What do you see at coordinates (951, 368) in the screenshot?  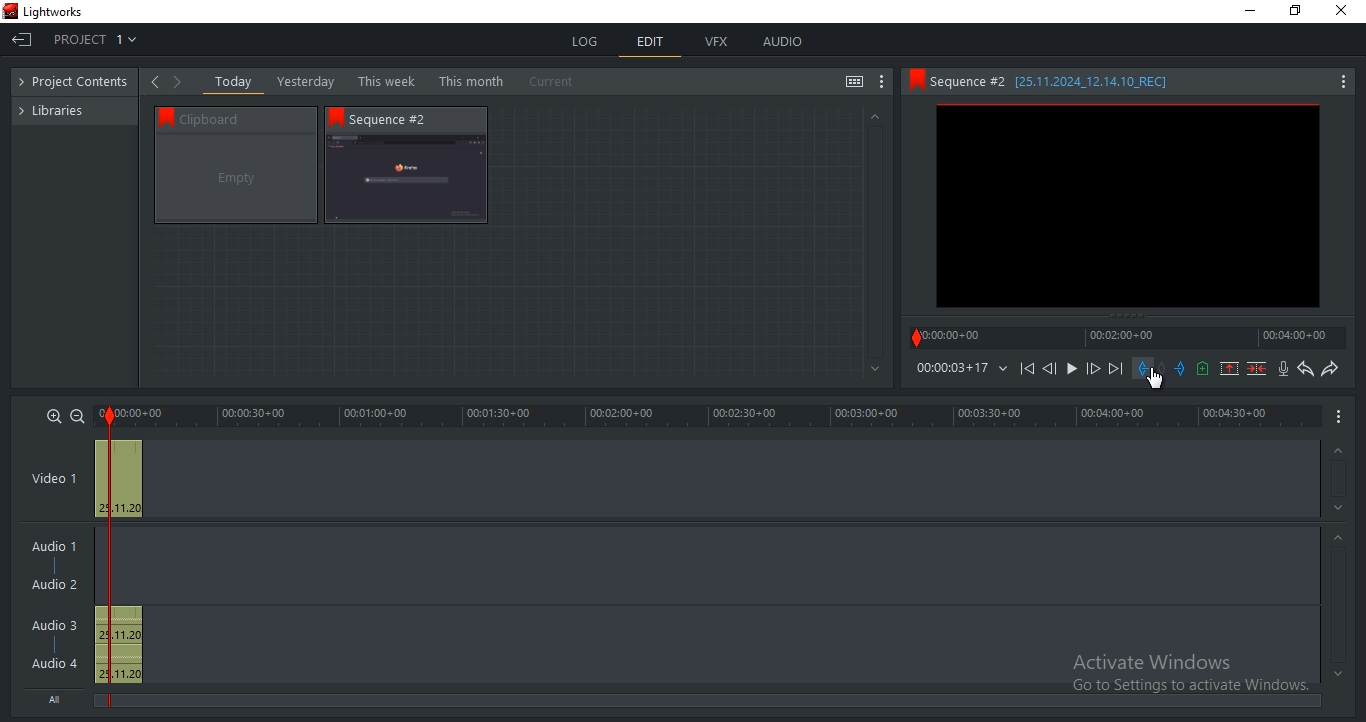 I see `timeline` at bounding box center [951, 368].